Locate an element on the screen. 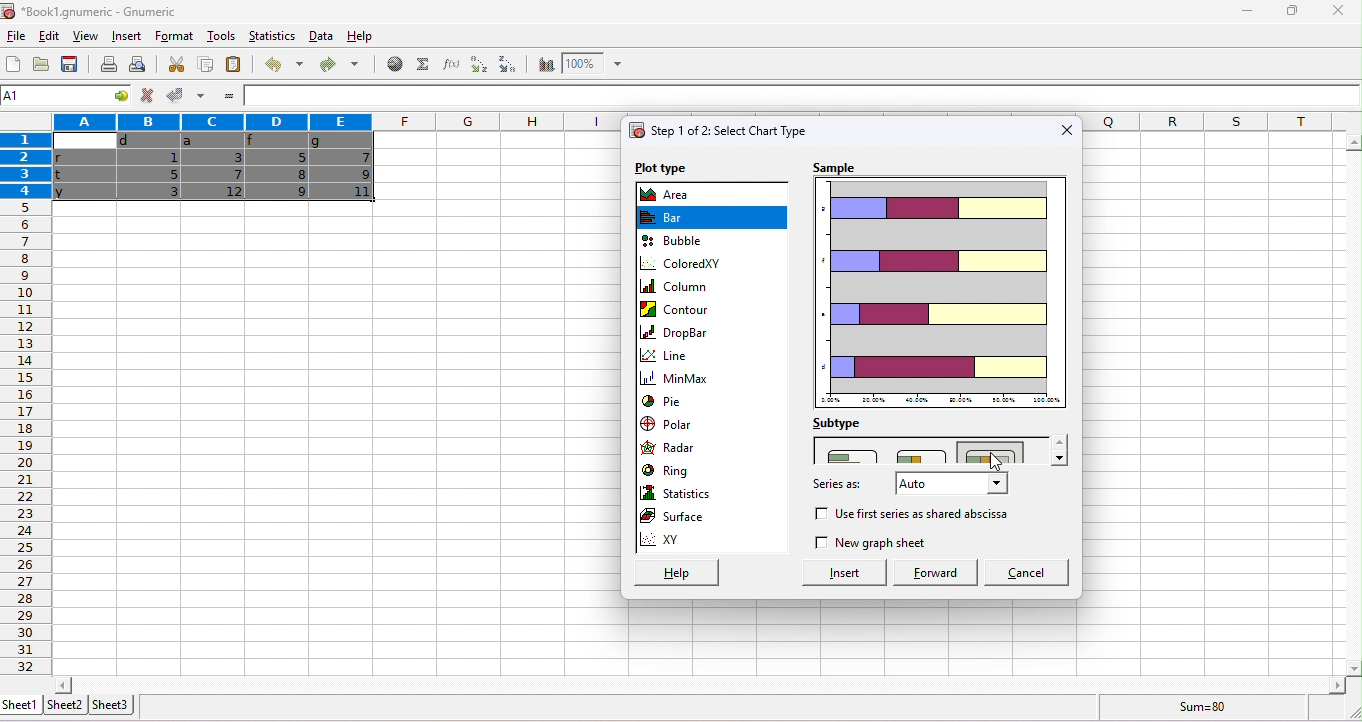  insert is located at coordinates (125, 36).